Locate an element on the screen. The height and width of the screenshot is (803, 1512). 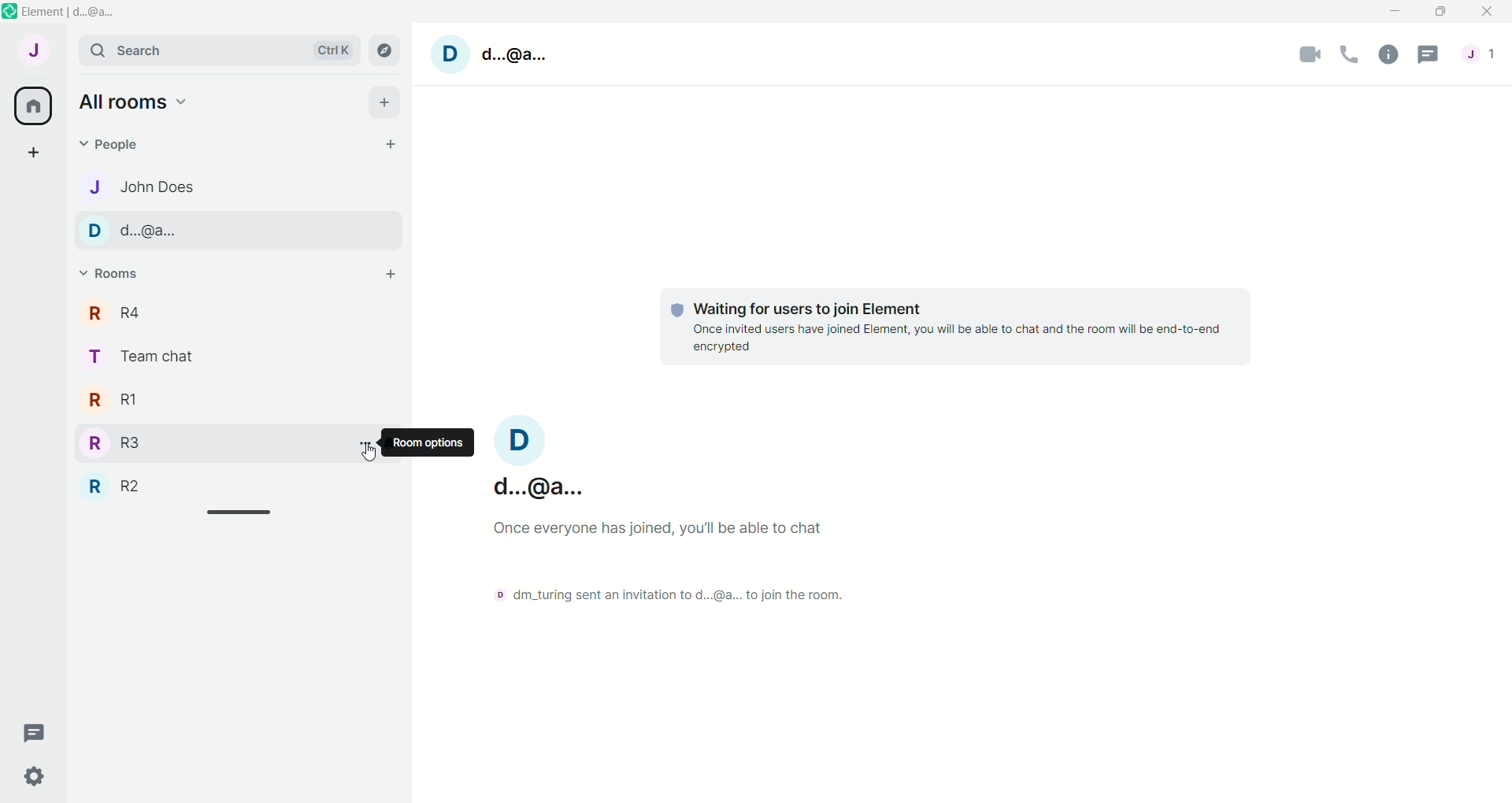
search is located at coordinates (219, 51).